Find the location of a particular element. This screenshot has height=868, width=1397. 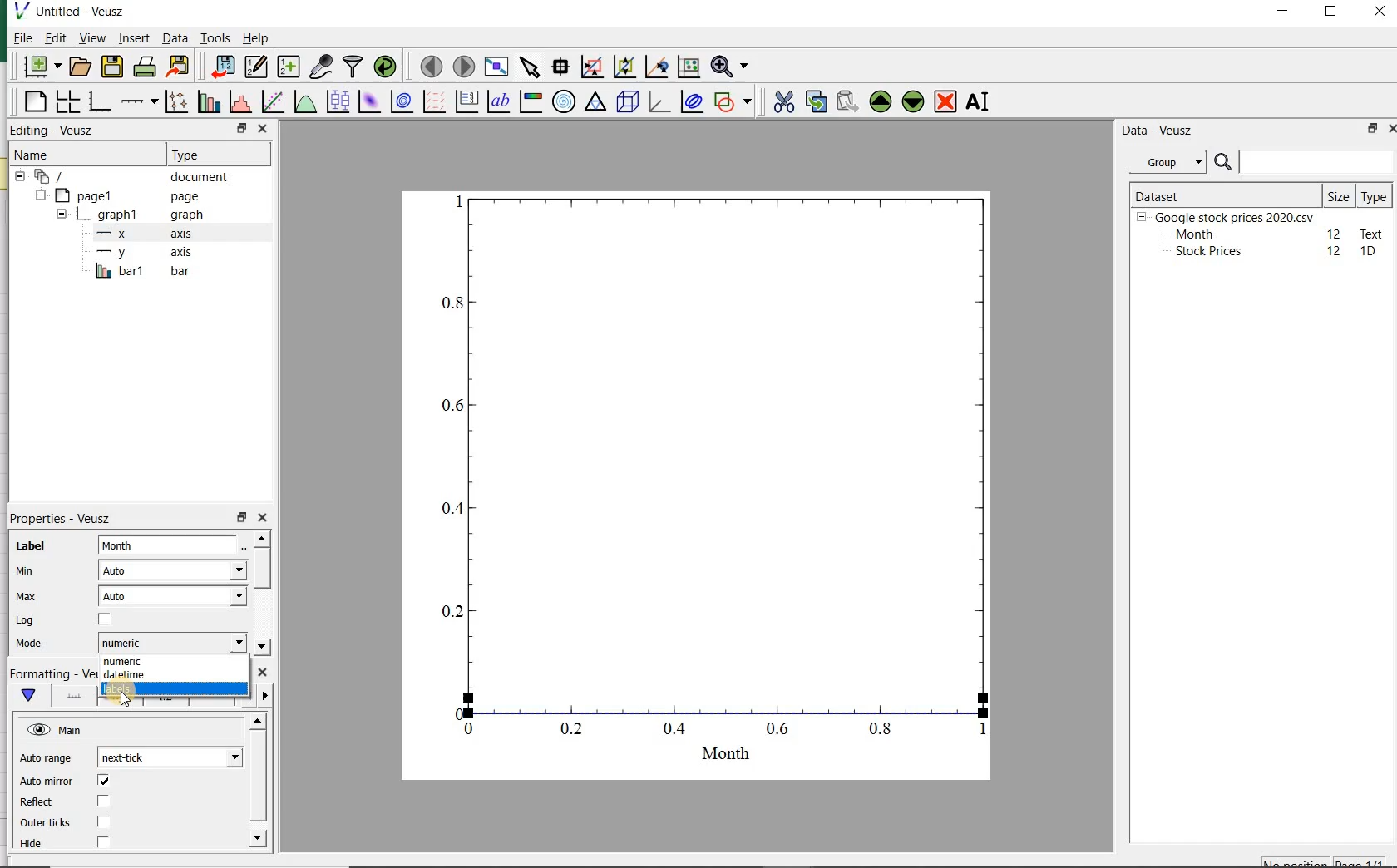

fit a function to data is located at coordinates (271, 102).